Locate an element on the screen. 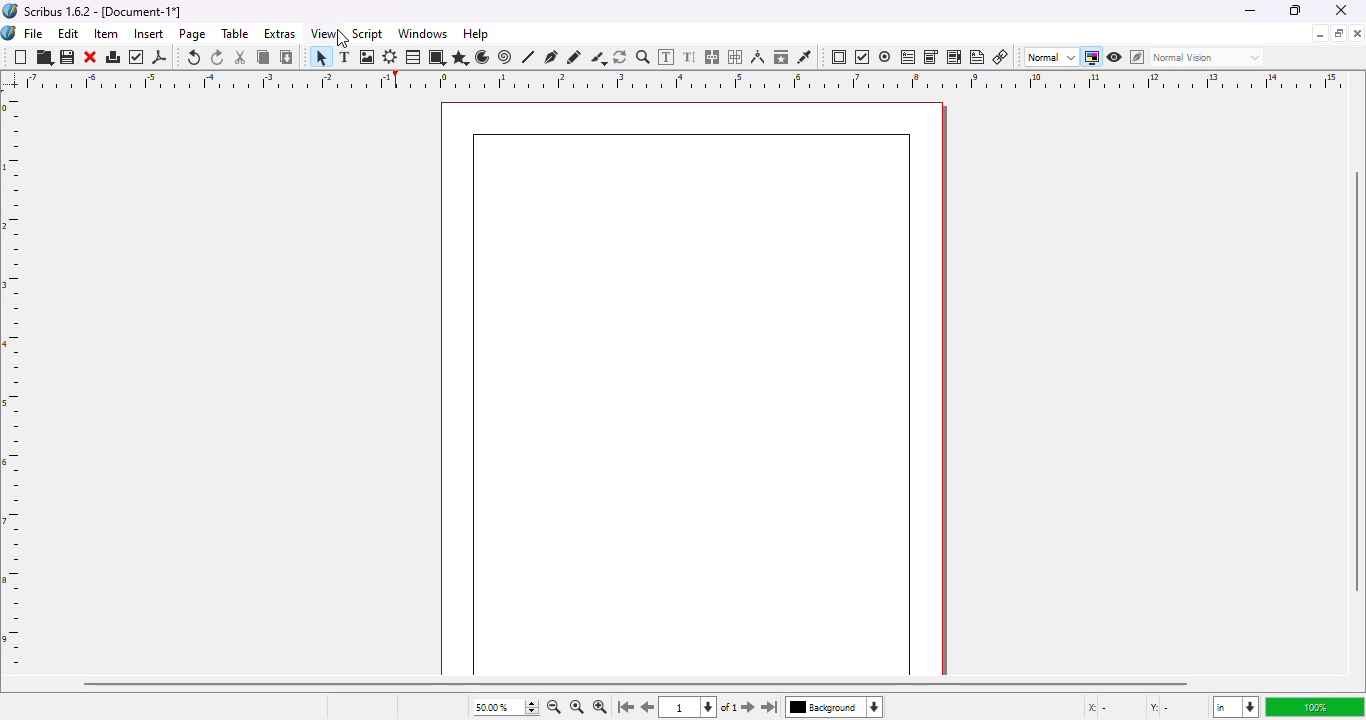 The width and height of the screenshot is (1366, 720). edit contents in frame is located at coordinates (667, 56).